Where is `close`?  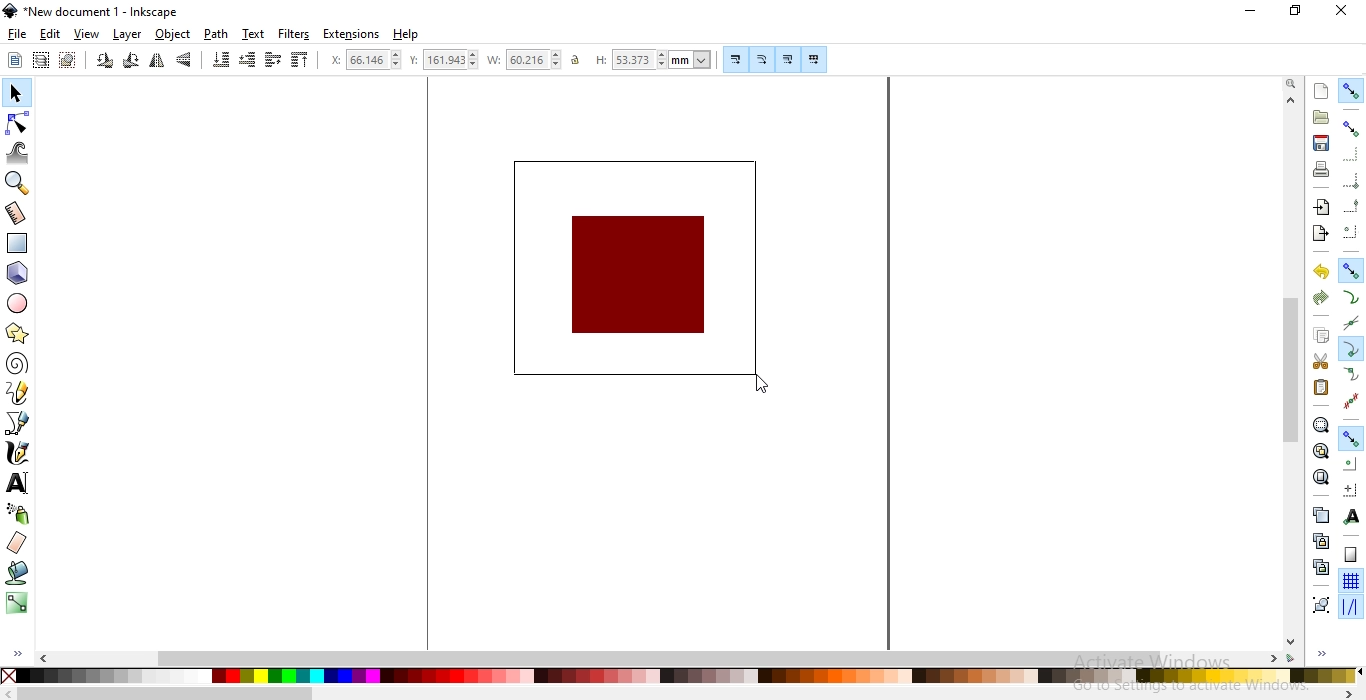 close is located at coordinates (1340, 12).